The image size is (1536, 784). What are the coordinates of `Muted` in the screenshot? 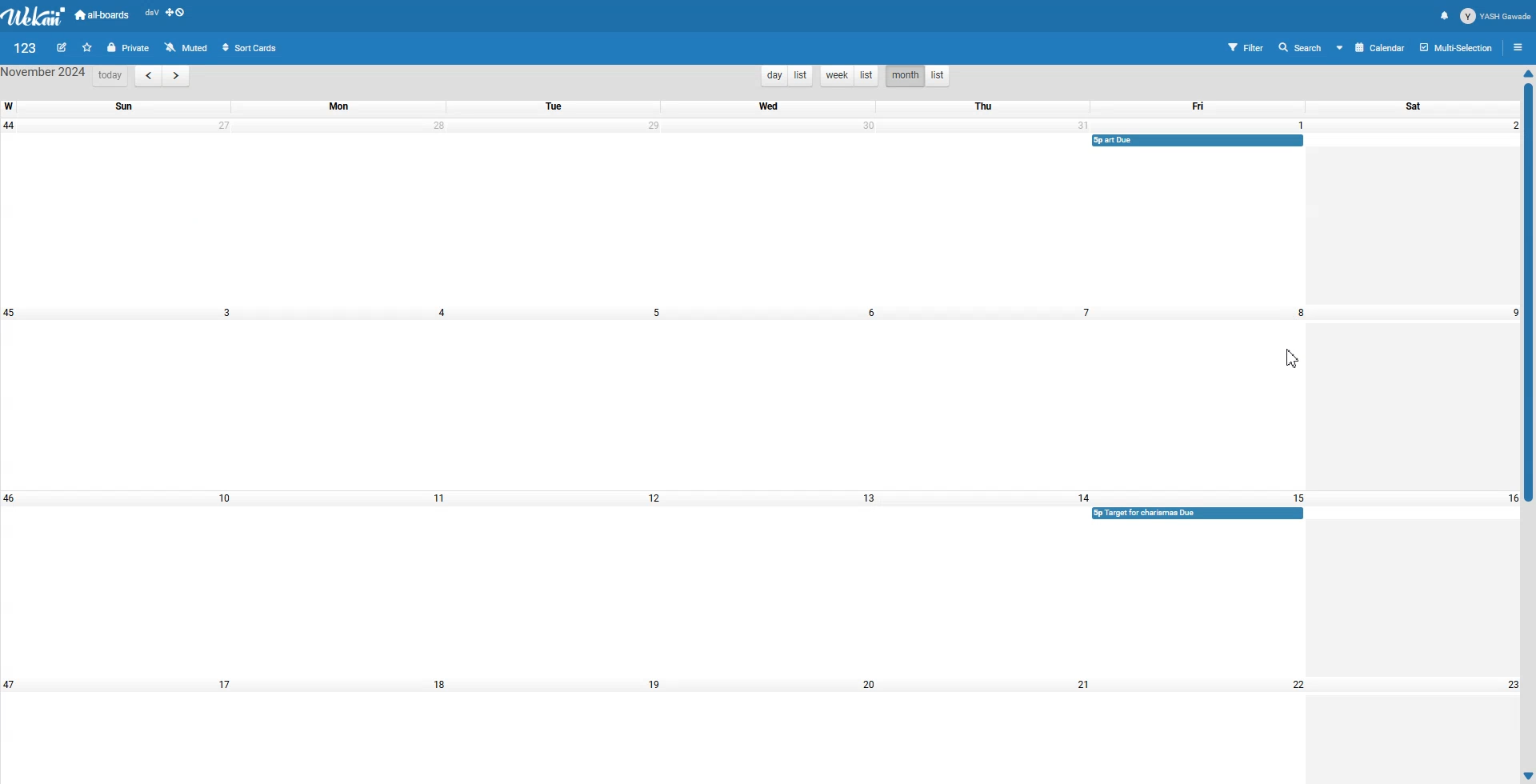 It's located at (187, 46).